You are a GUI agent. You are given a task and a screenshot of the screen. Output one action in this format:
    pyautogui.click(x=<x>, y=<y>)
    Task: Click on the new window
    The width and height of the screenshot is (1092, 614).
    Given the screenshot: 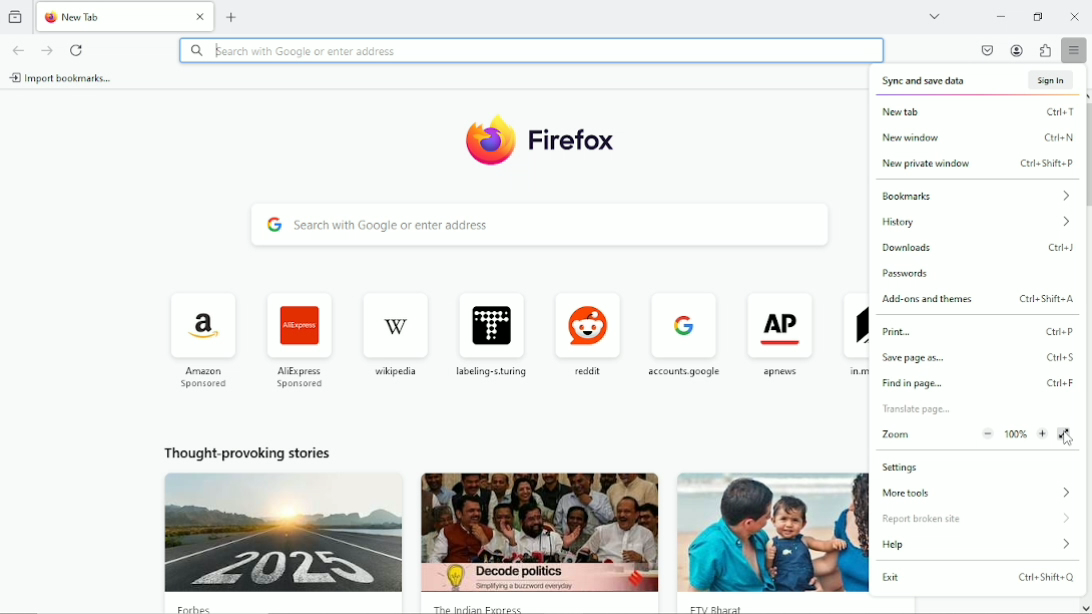 What is the action you would take?
    pyautogui.click(x=980, y=139)
    